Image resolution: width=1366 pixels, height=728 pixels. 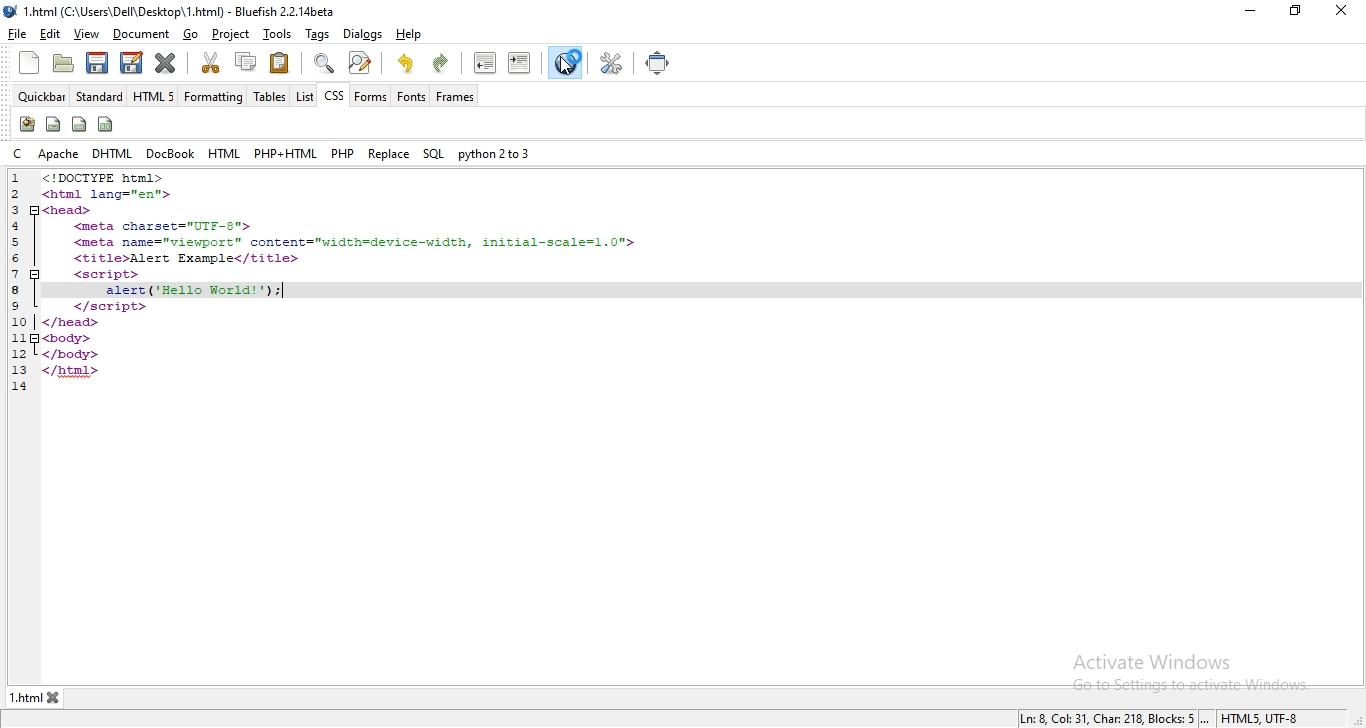 What do you see at coordinates (11, 12) in the screenshot?
I see `bluefish logo` at bounding box center [11, 12].